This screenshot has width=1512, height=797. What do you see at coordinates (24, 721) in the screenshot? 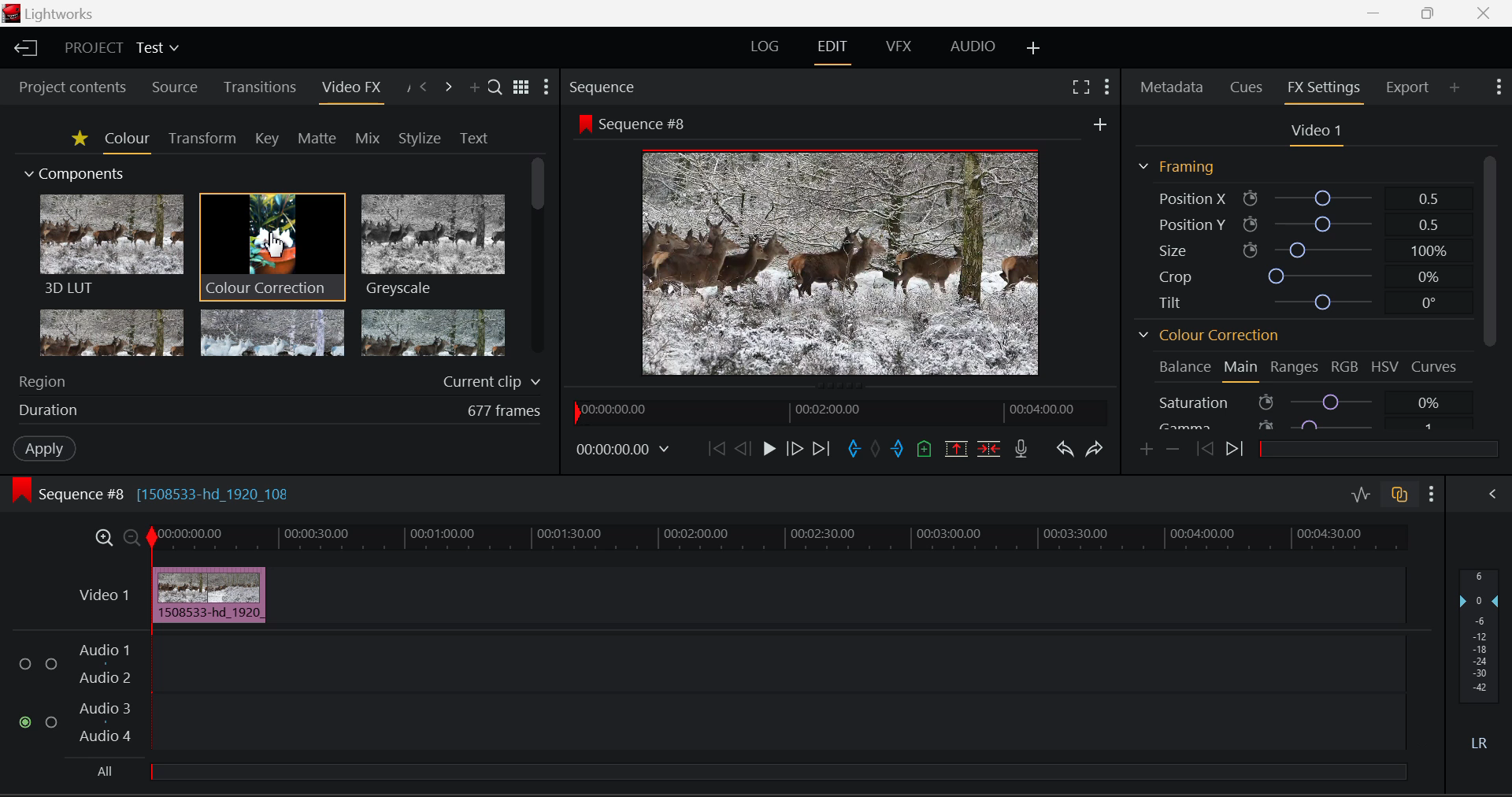
I see `Audio Input Checkbox` at bounding box center [24, 721].